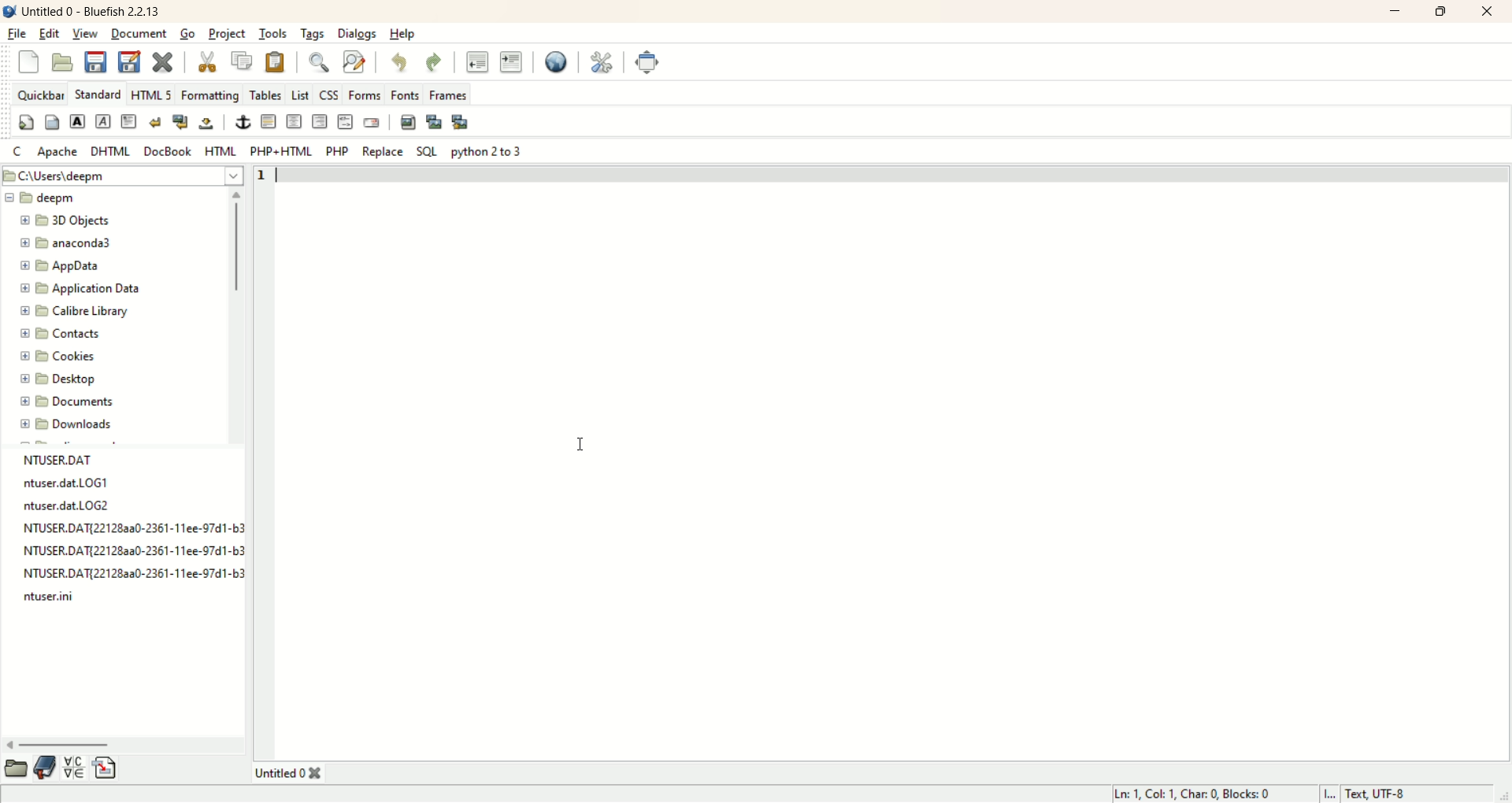 The width and height of the screenshot is (1512, 803). I want to click on tools, so click(272, 34).